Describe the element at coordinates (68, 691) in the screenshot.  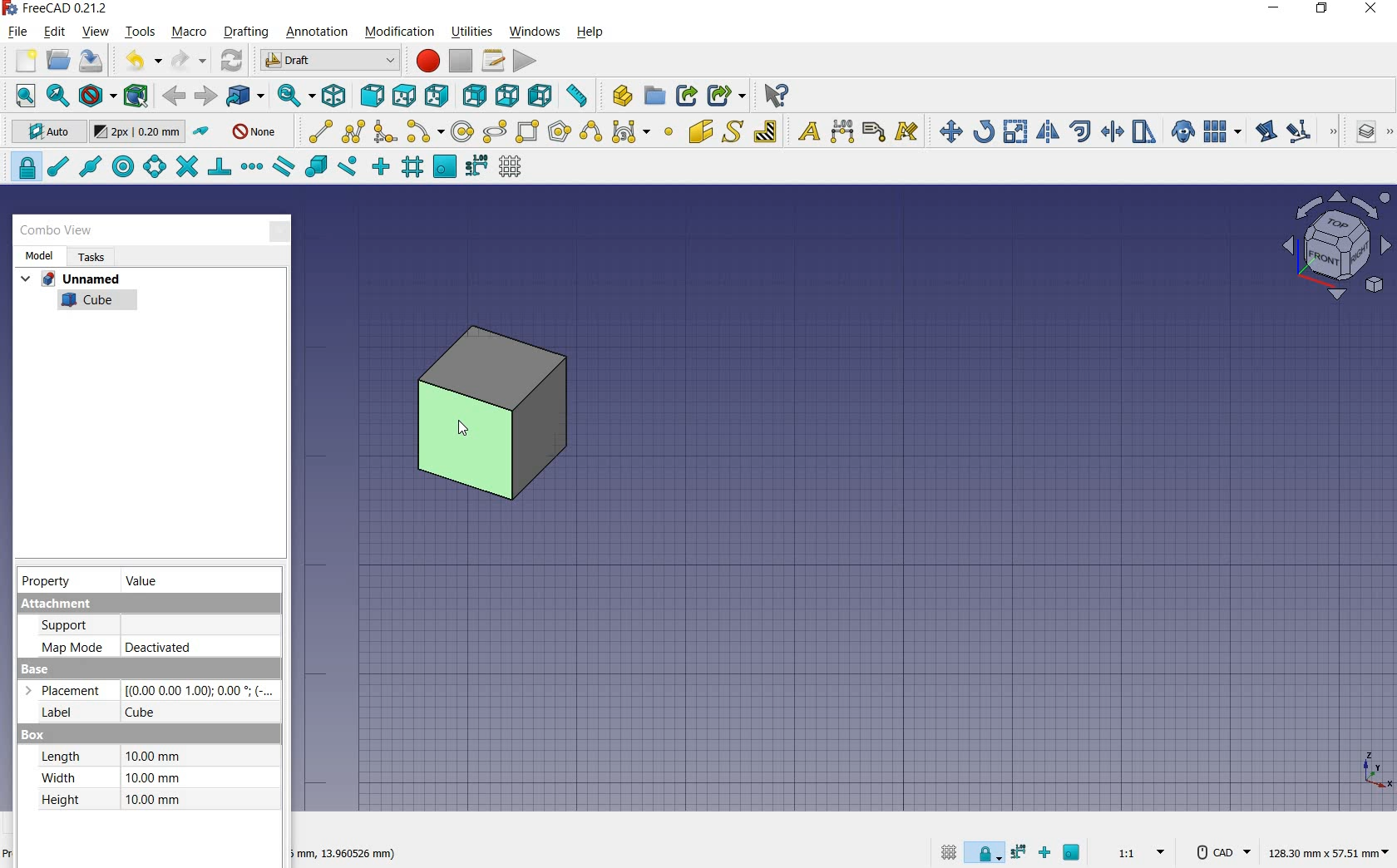
I see `Placement` at that location.